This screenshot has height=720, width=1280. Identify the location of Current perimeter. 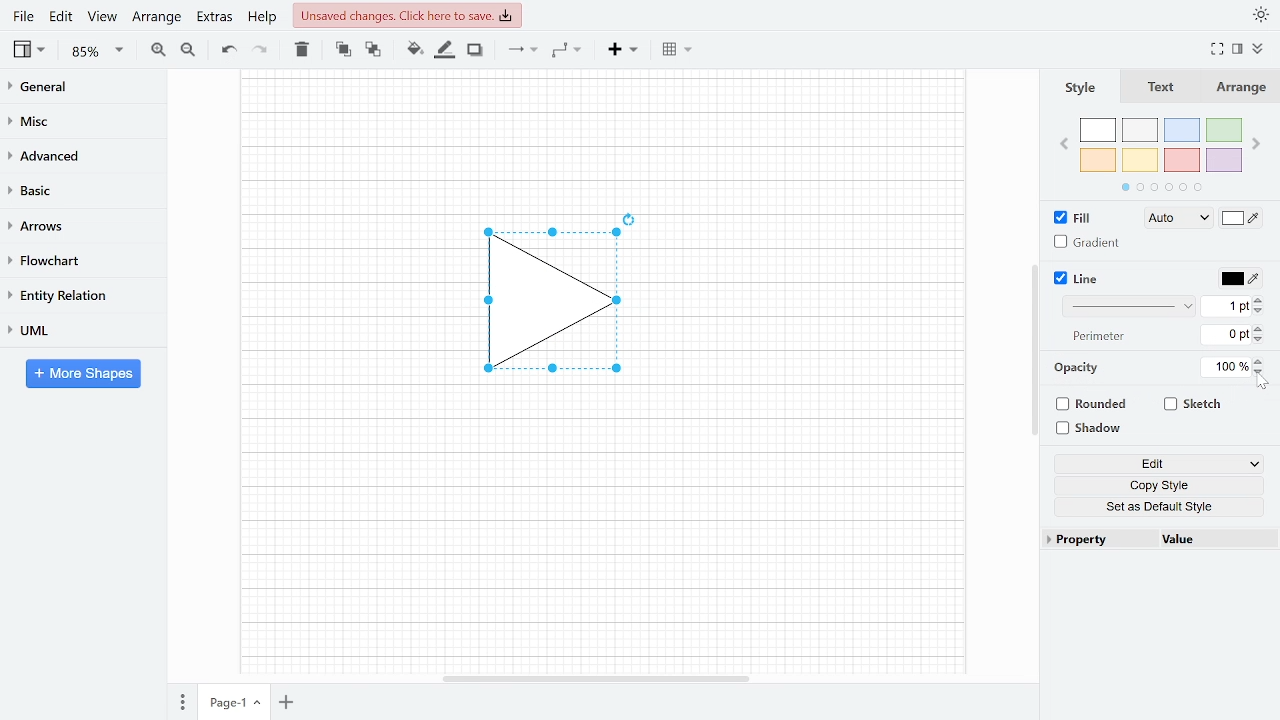
(1226, 337).